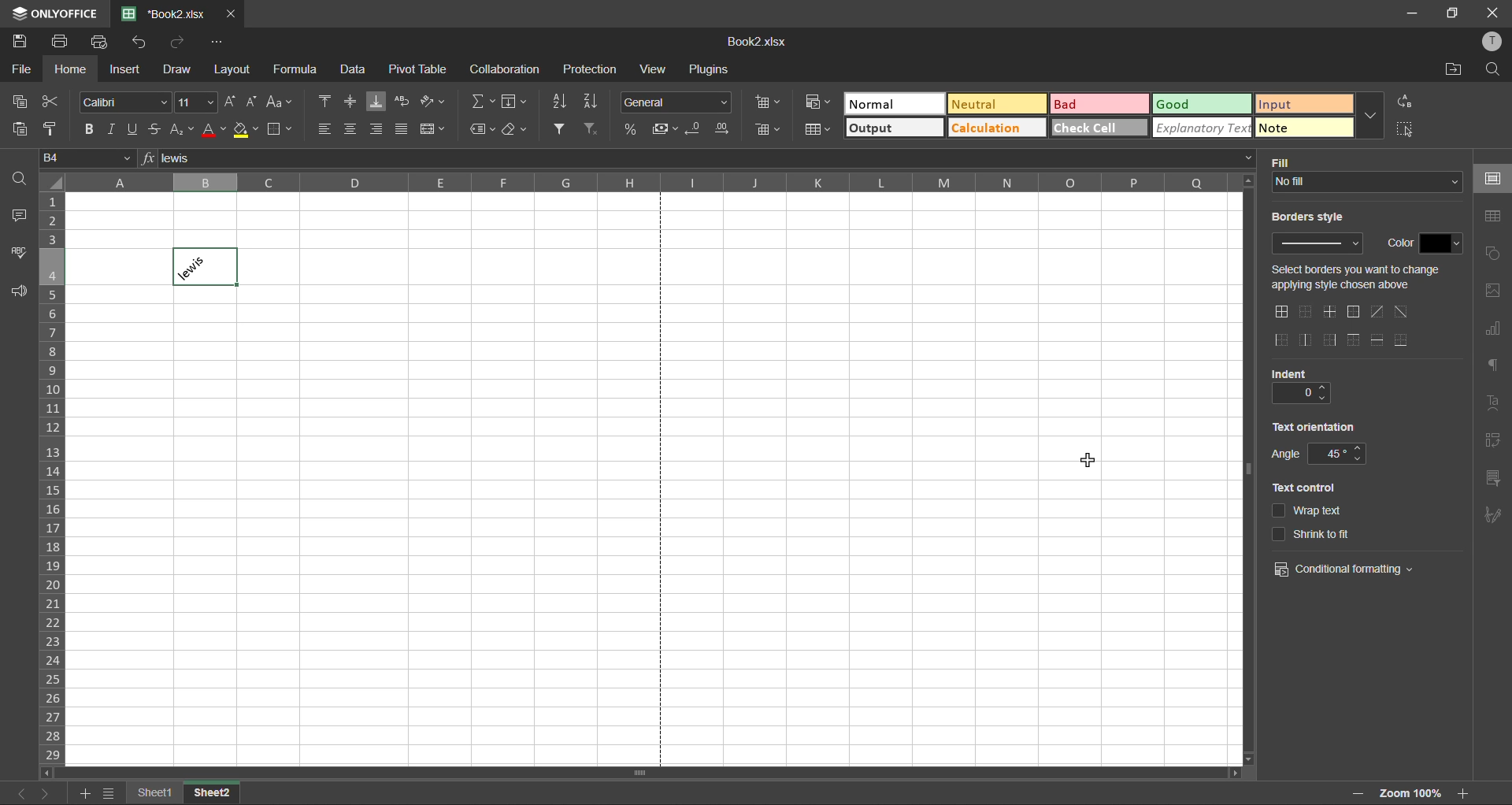 Image resolution: width=1512 pixels, height=805 pixels. What do you see at coordinates (1361, 447) in the screenshot?
I see `increase angle` at bounding box center [1361, 447].